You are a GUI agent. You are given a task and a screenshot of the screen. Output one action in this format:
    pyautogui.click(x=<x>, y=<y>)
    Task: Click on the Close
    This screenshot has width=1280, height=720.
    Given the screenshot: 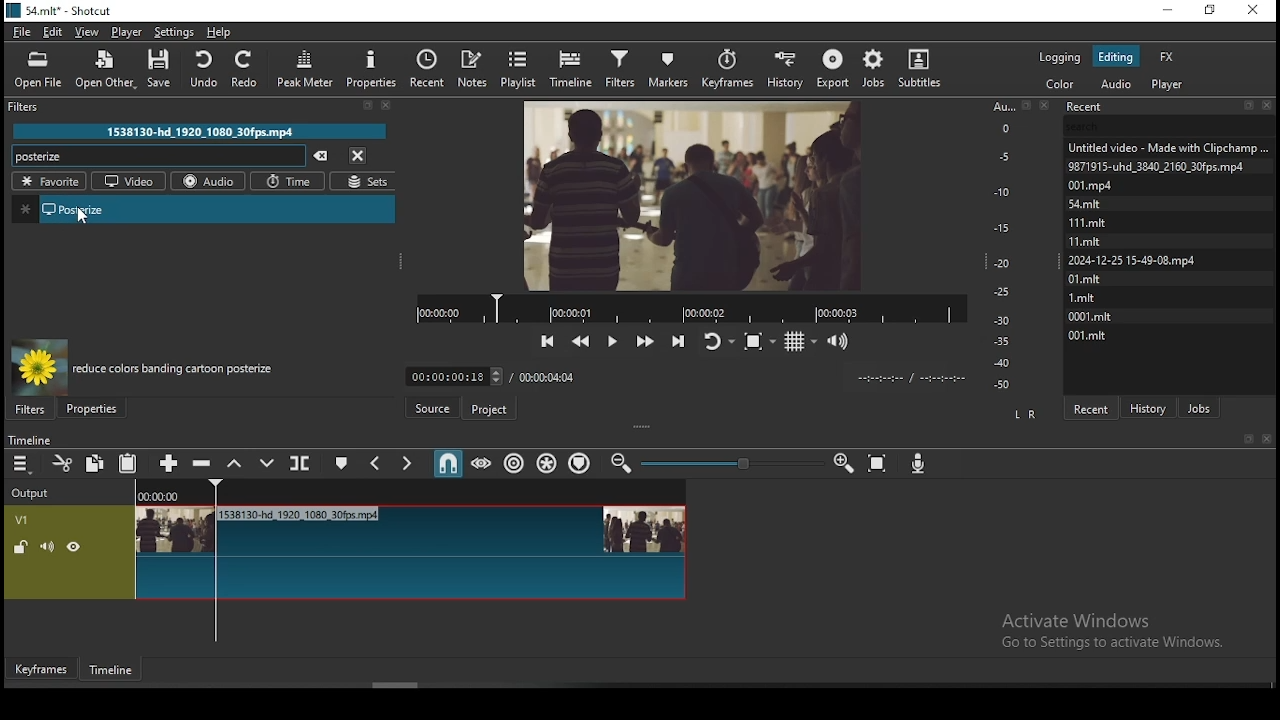 What is the action you would take?
    pyautogui.click(x=1270, y=439)
    